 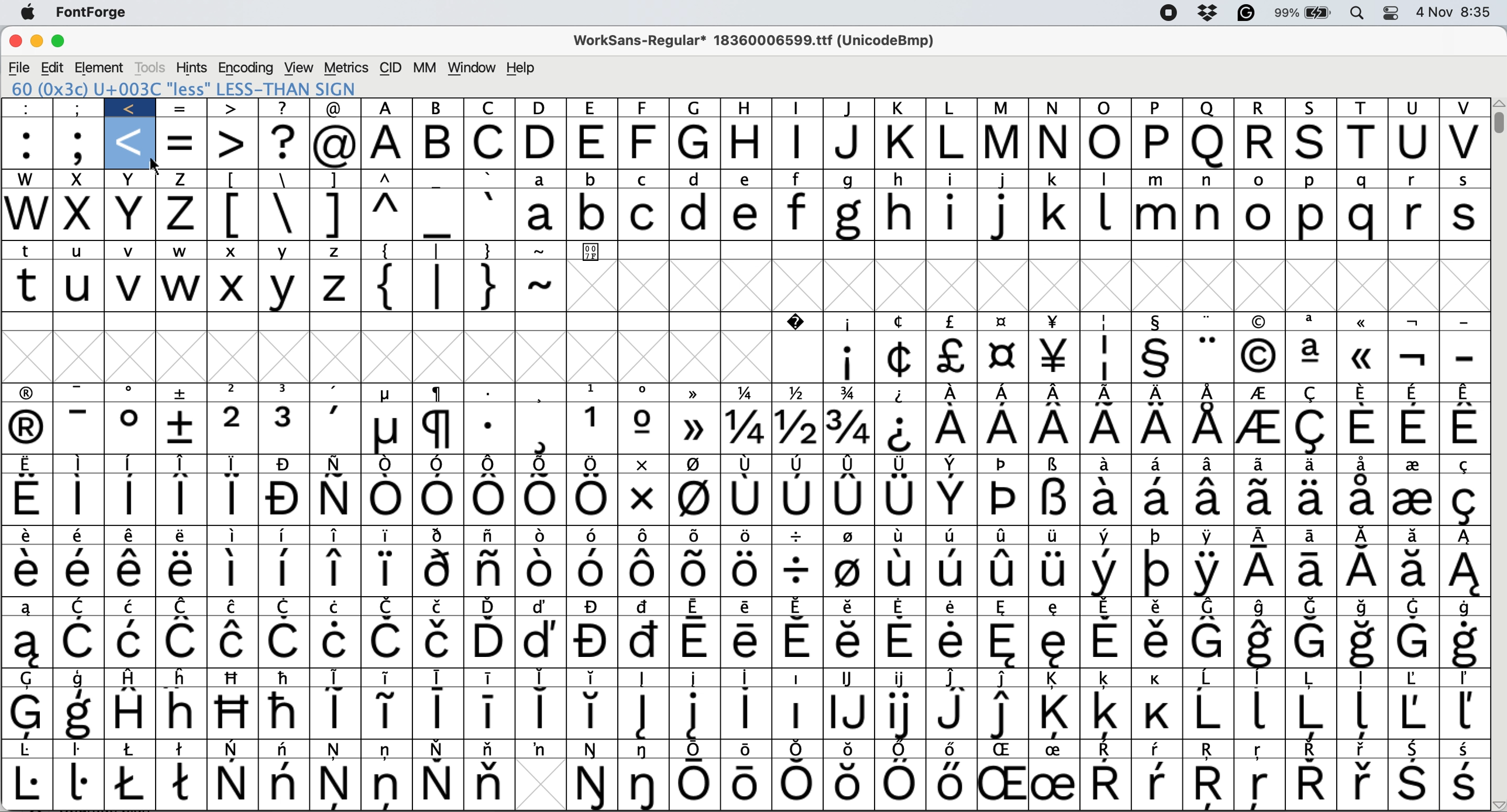 I want to click on Symbol, so click(x=128, y=537).